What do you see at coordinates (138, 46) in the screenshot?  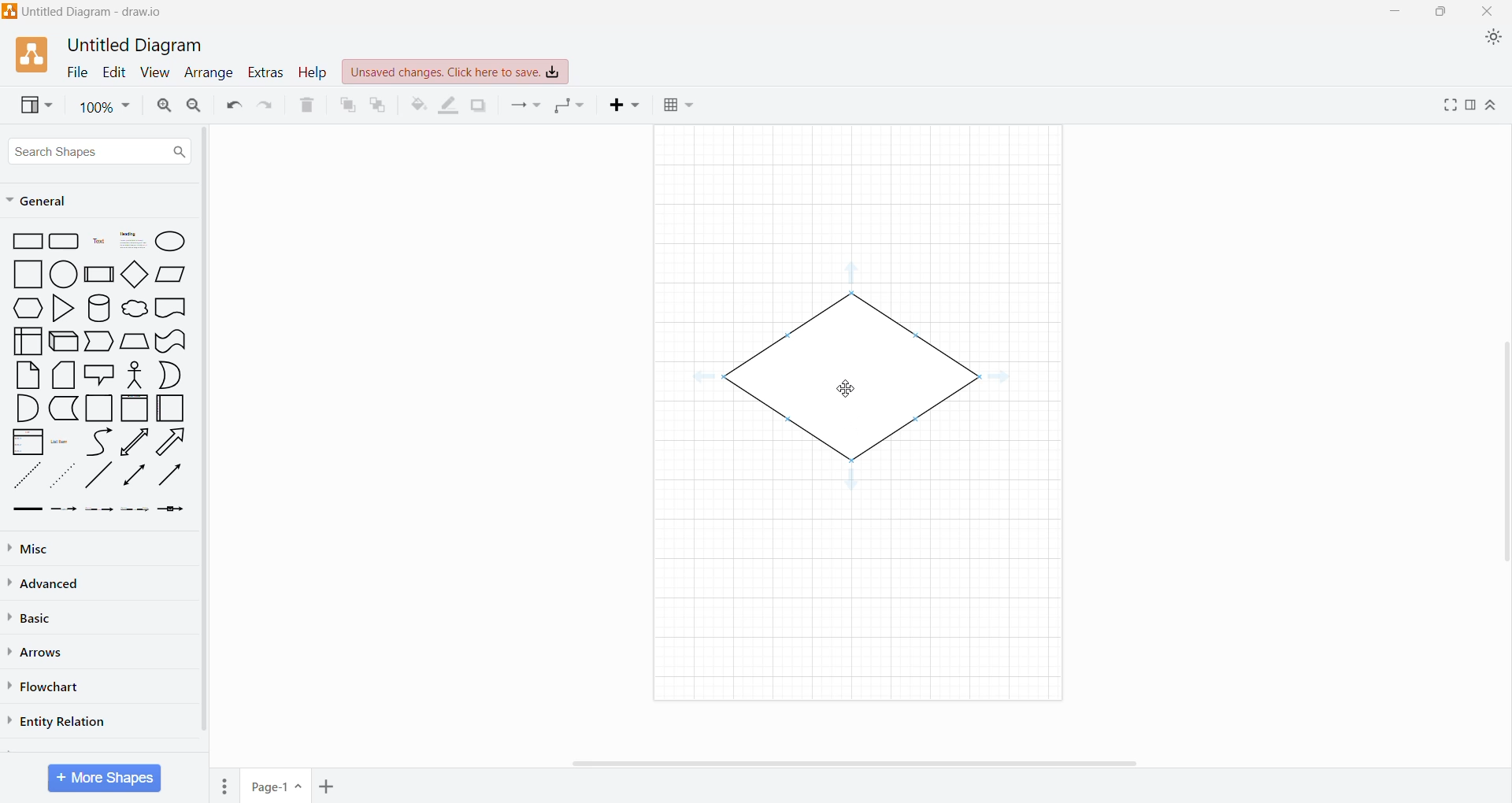 I see `Untitle Diagram` at bounding box center [138, 46].